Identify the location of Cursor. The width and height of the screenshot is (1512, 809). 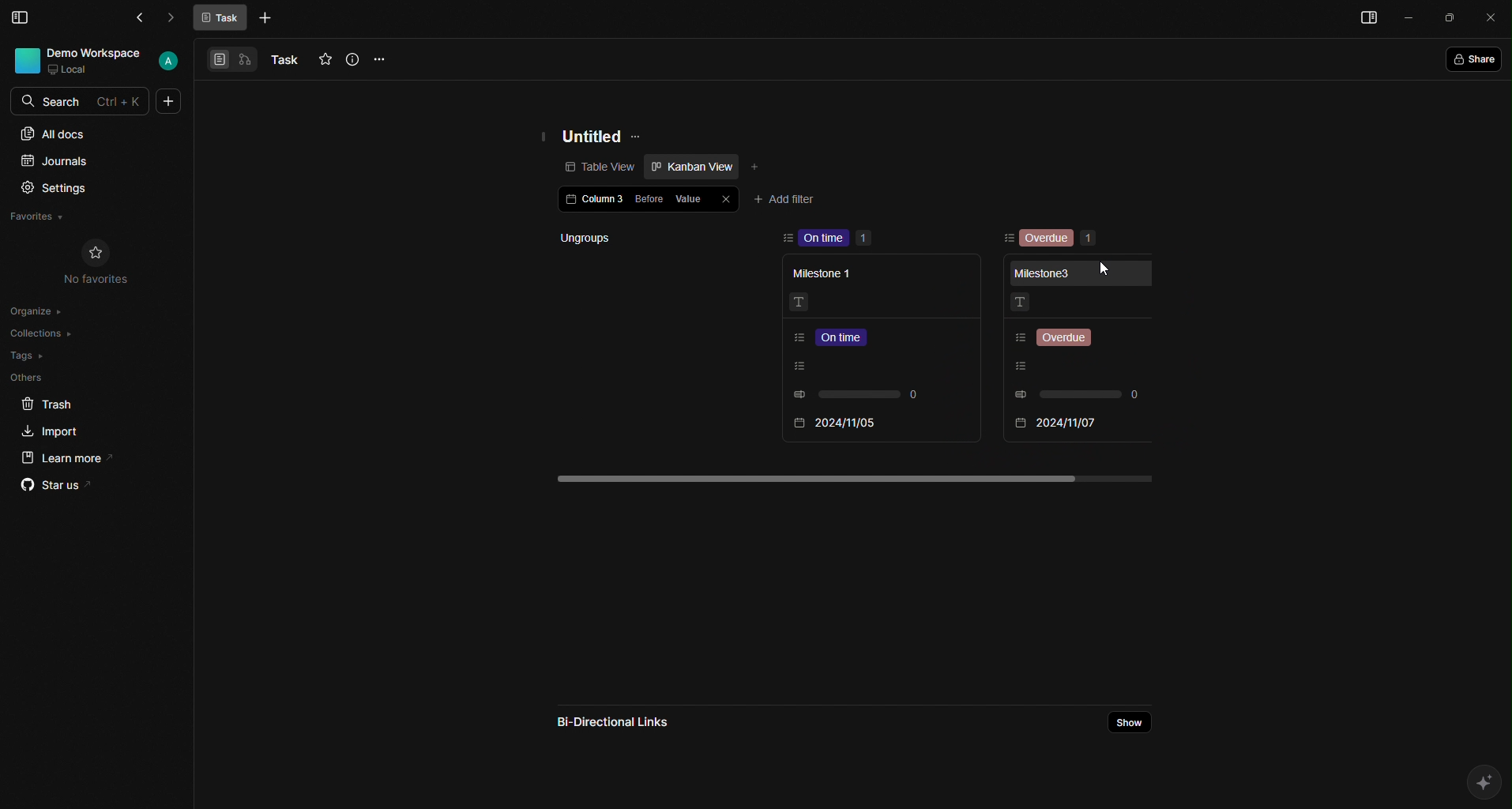
(1107, 269).